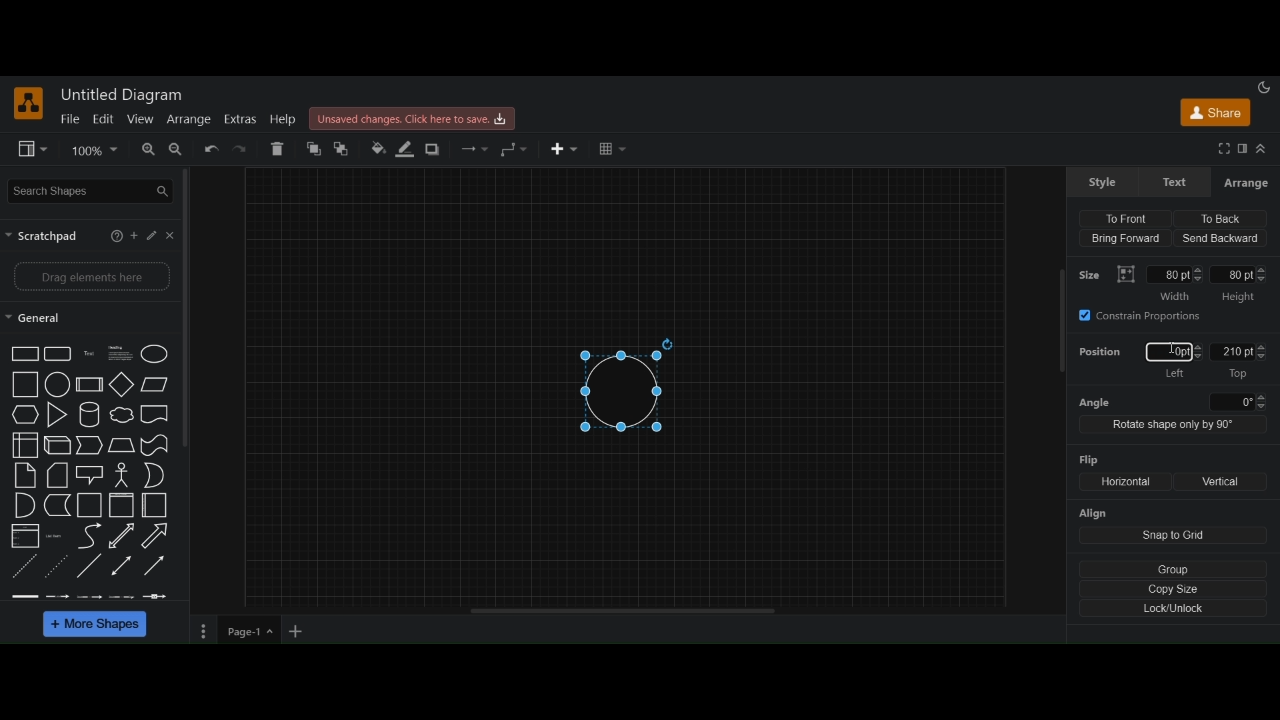 This screenshot has width=1280, height=720. I want to click on hexagon, so click(26, 416).